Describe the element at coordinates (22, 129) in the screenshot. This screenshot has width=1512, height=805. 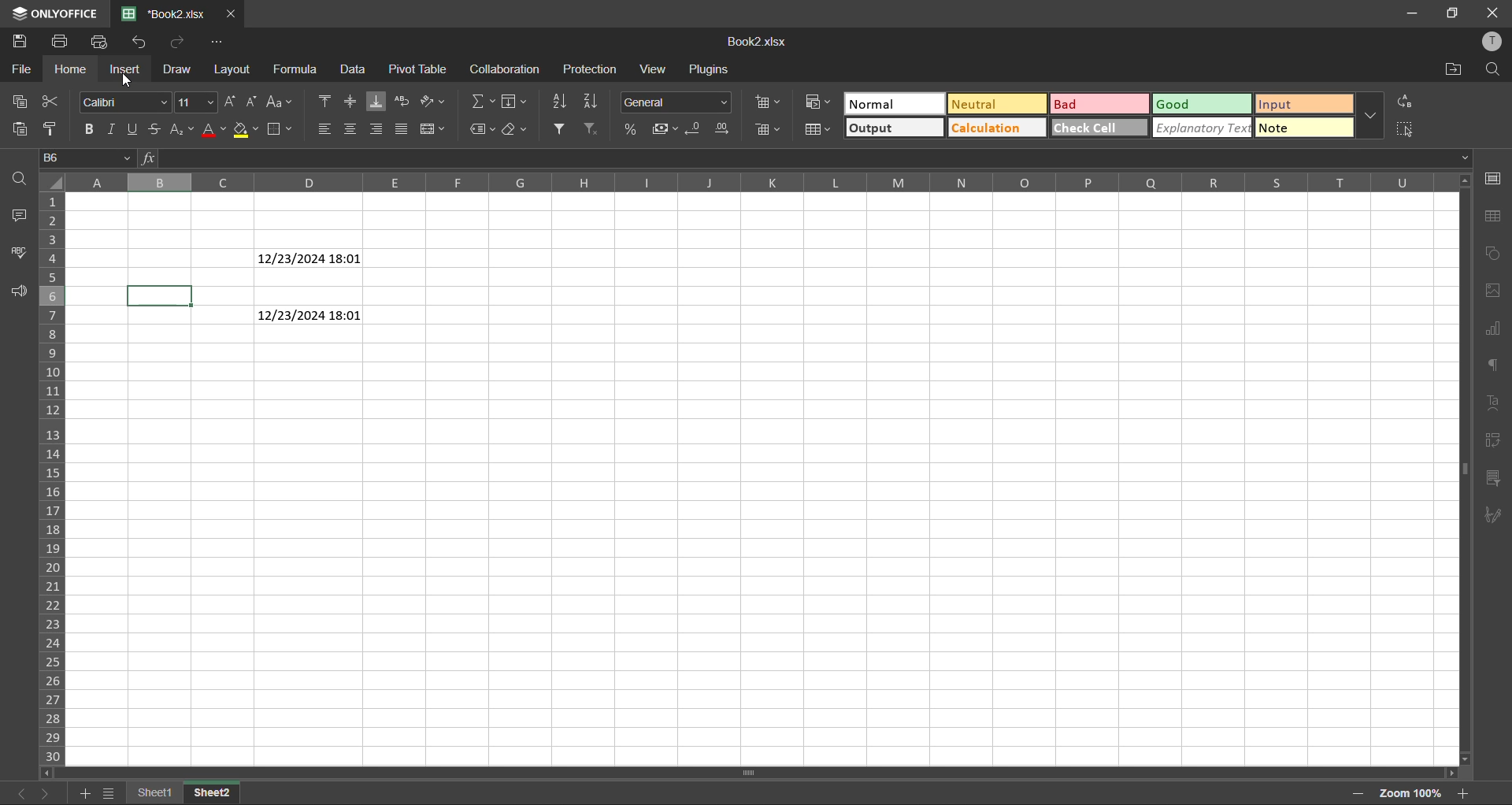
I see `paste` at that location.